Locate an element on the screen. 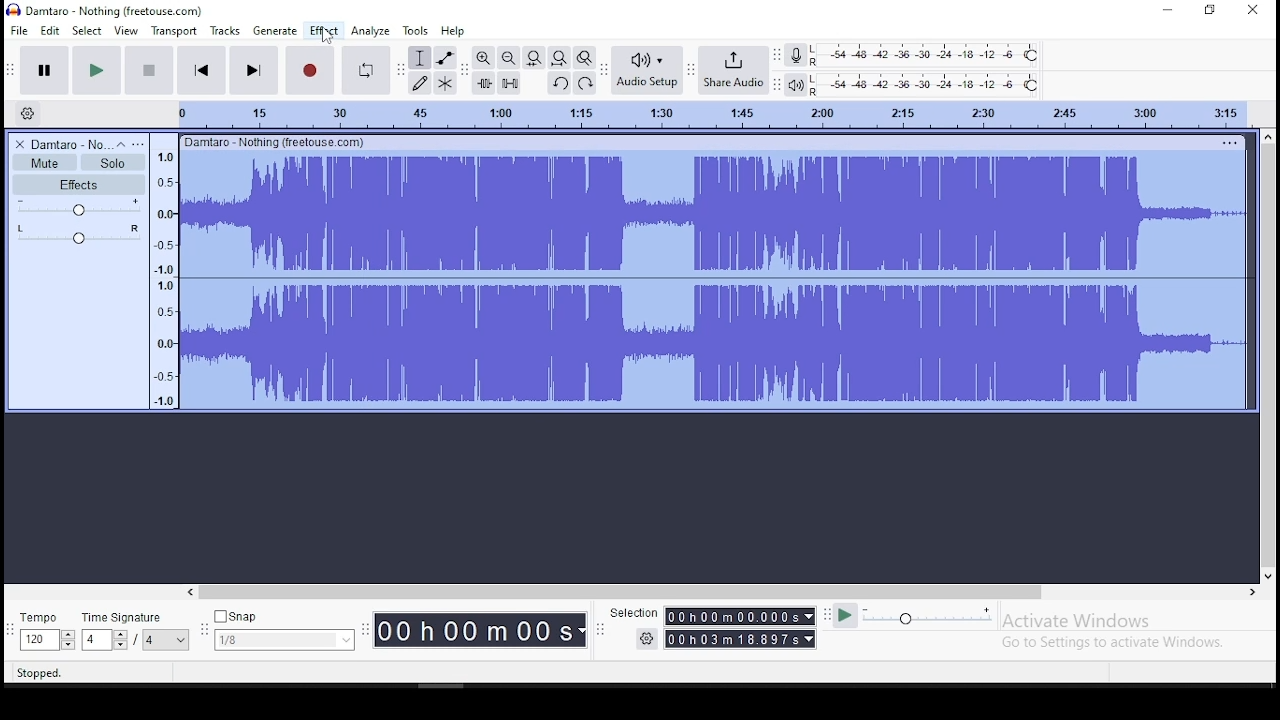  help is located at coordinates (454, 30).